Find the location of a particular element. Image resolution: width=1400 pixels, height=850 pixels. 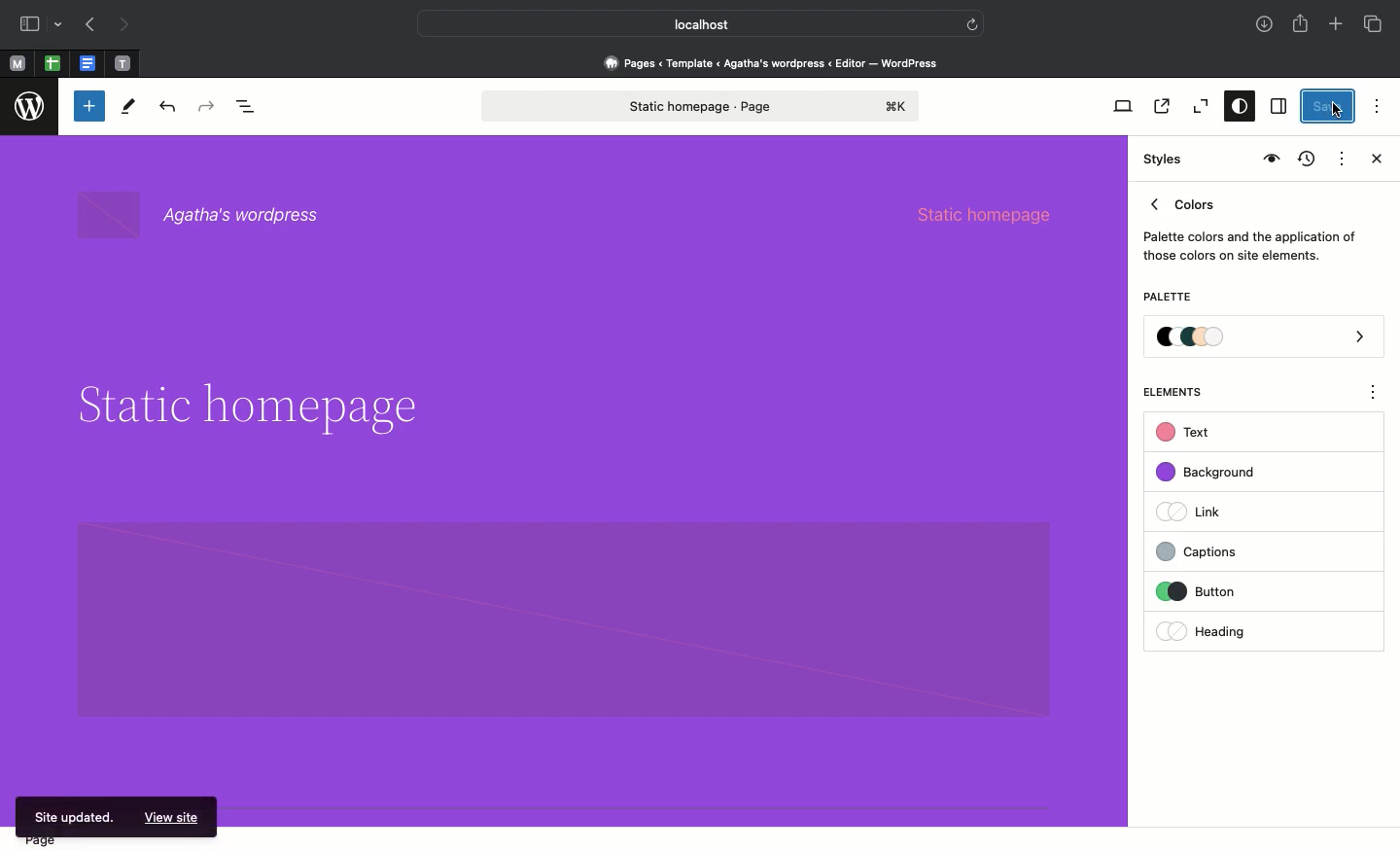

Downloads is located at coordinates (1266, 26).